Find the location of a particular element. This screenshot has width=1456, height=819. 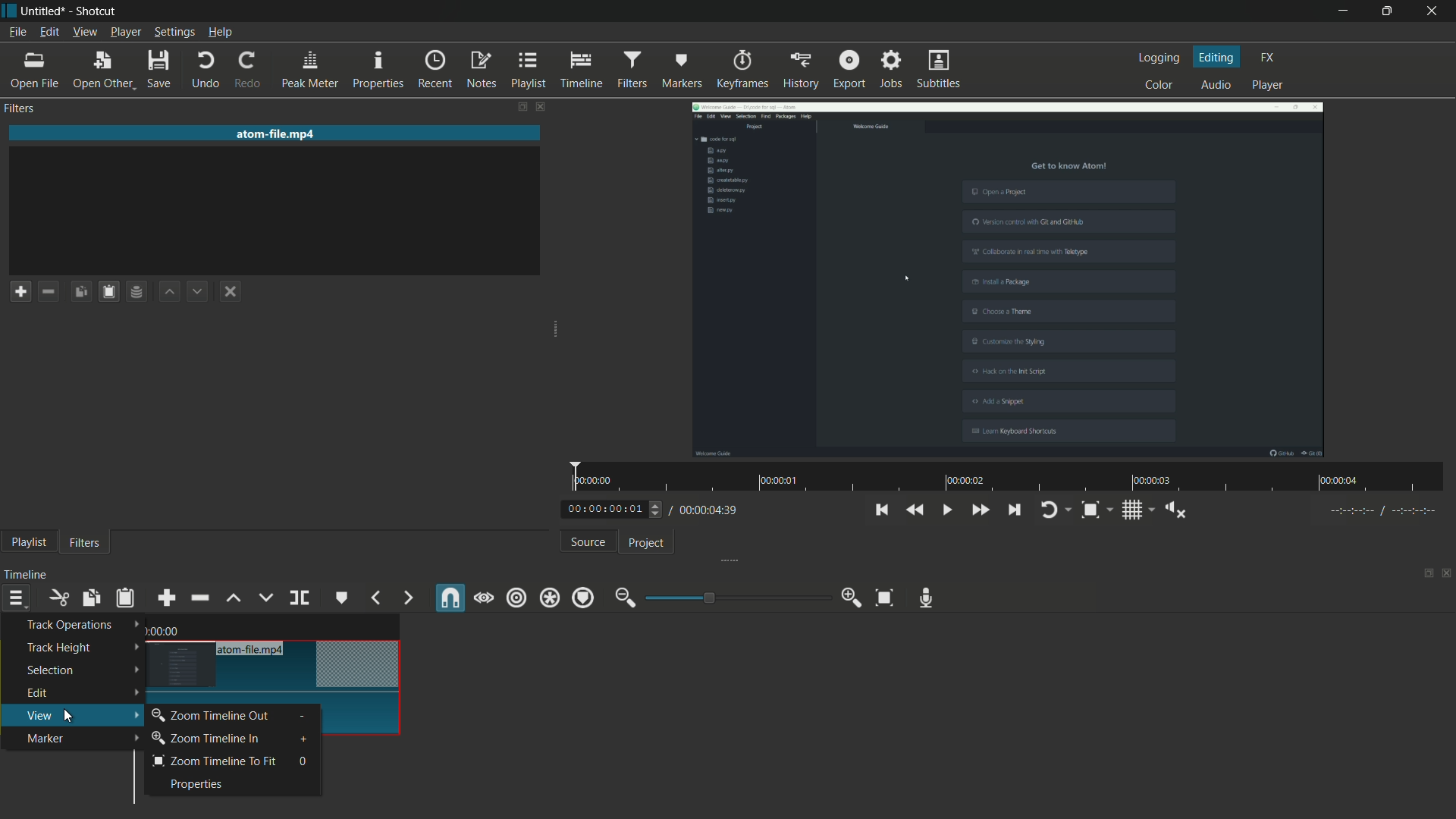

total time is located at coordinates (708, 510).